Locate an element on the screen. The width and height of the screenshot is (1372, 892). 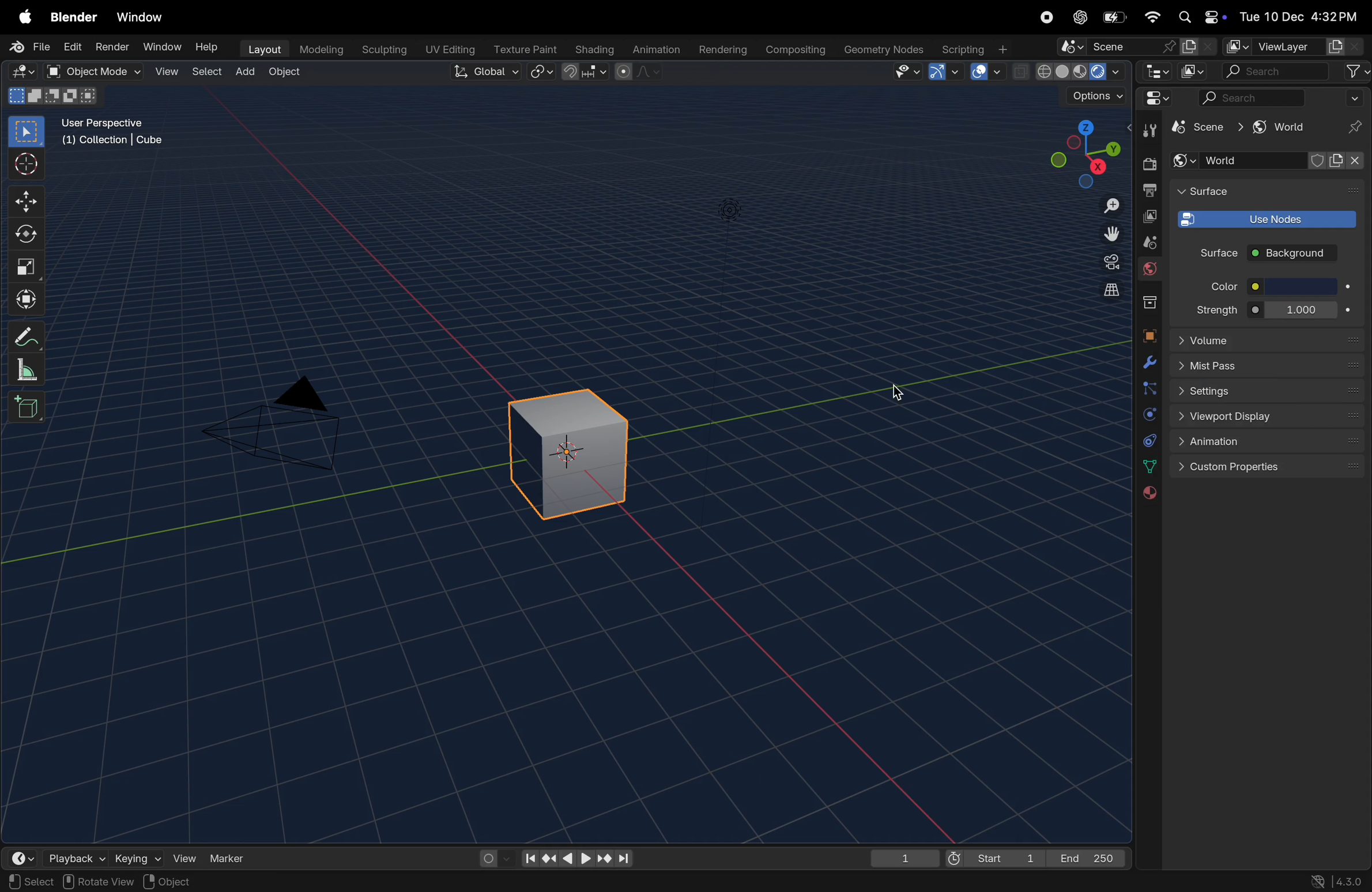
select is located at coordinates (203, 73).